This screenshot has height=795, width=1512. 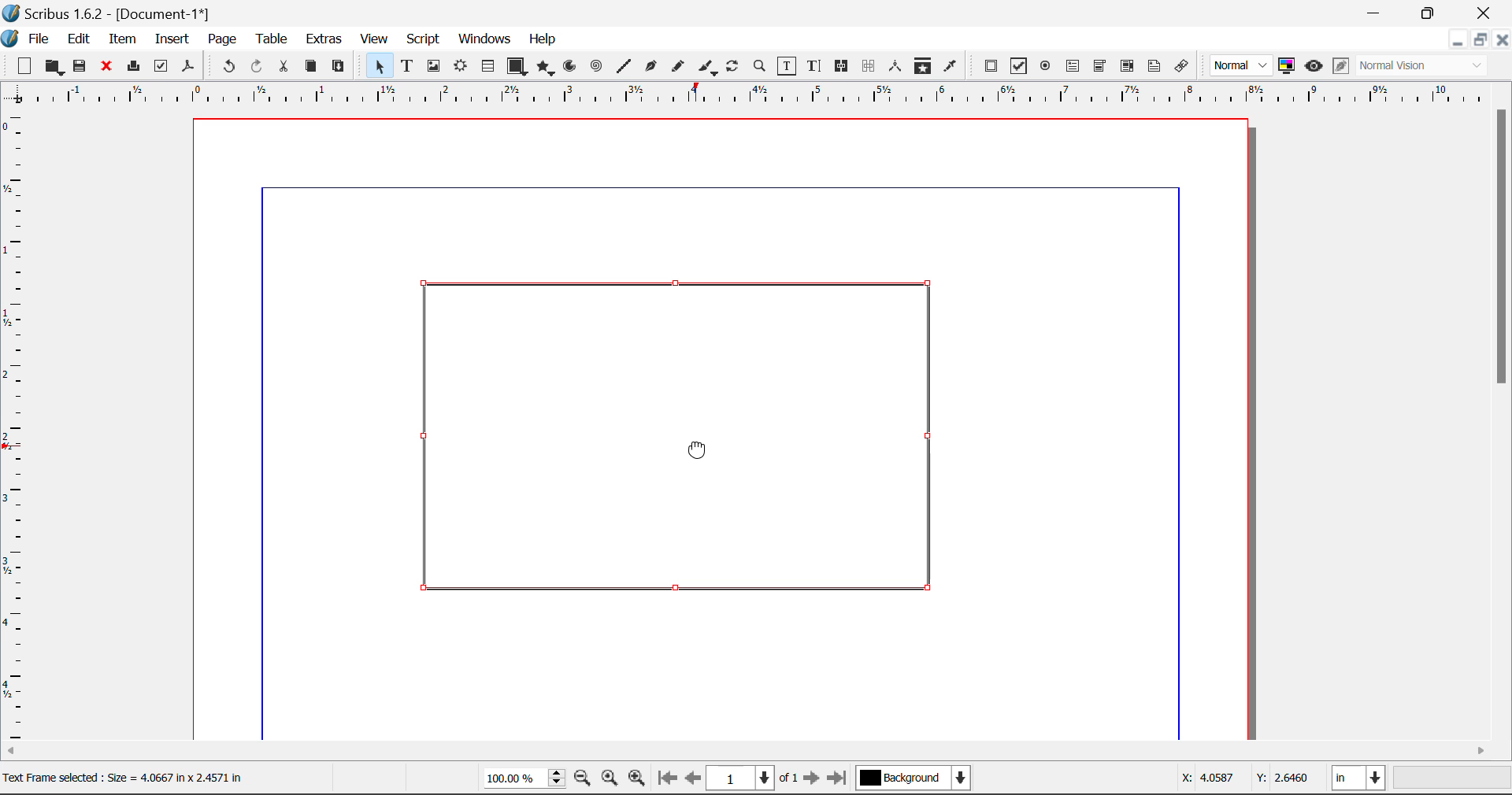 What do you see at coordinates (610, 780) in the screenshot?
I see `Zoom to 100%` at bounding box center [610, 780].